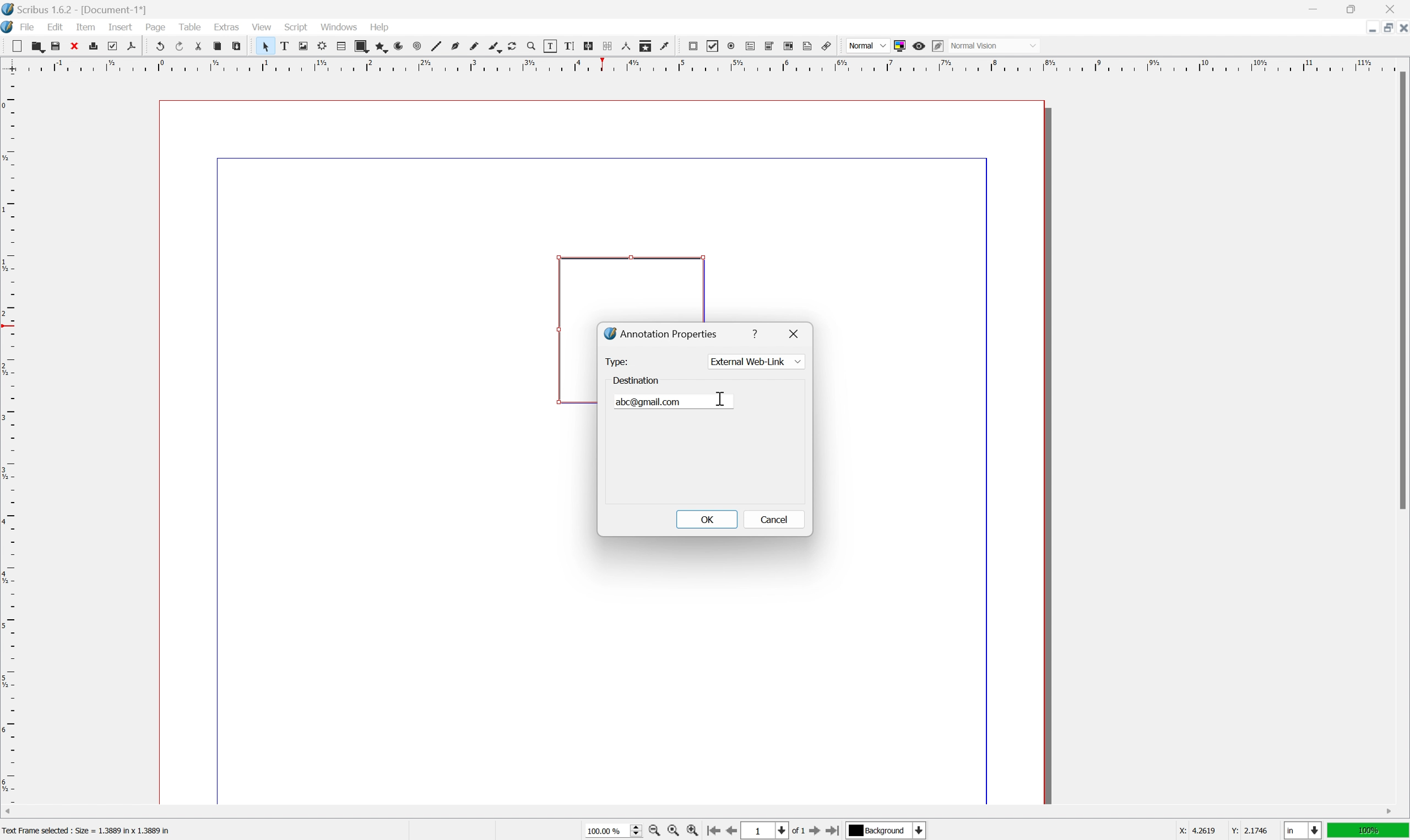 The image size is (1410, 840). I want to click on insert, so click(121, 27).